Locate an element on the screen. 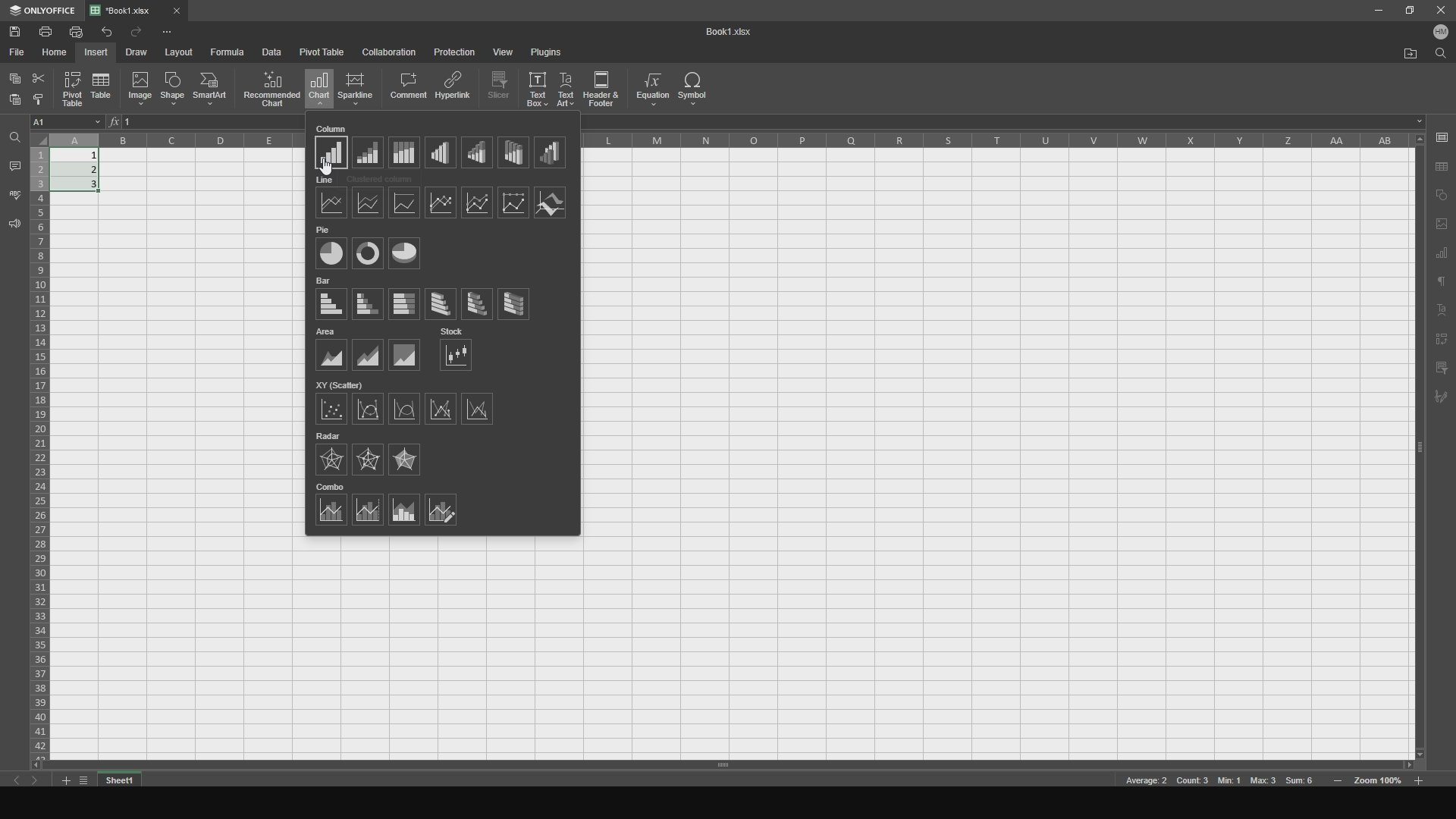  print file is located at coordinates (77, 32).